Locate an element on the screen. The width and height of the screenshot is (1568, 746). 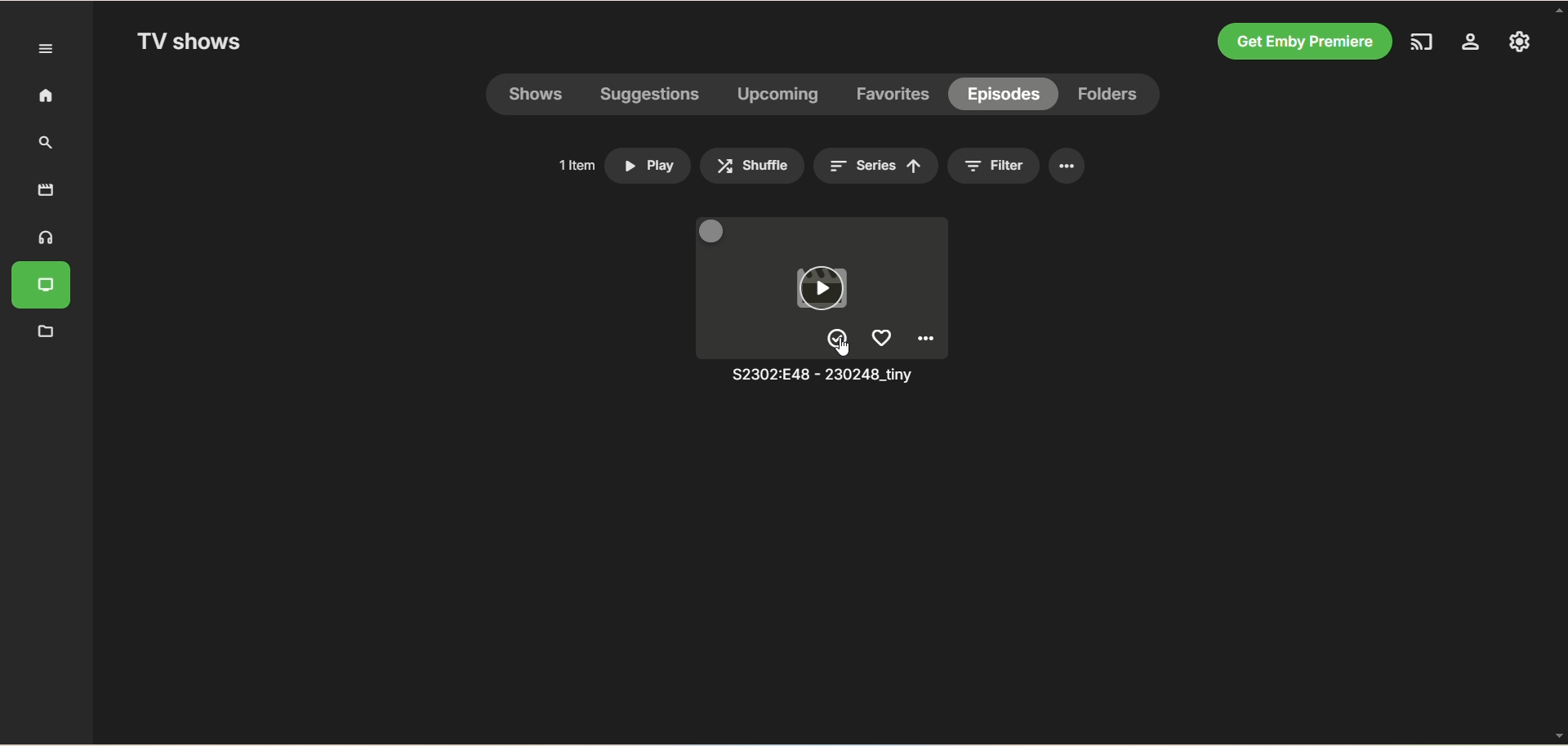
metadata manager is located at coordinates (43, 332).